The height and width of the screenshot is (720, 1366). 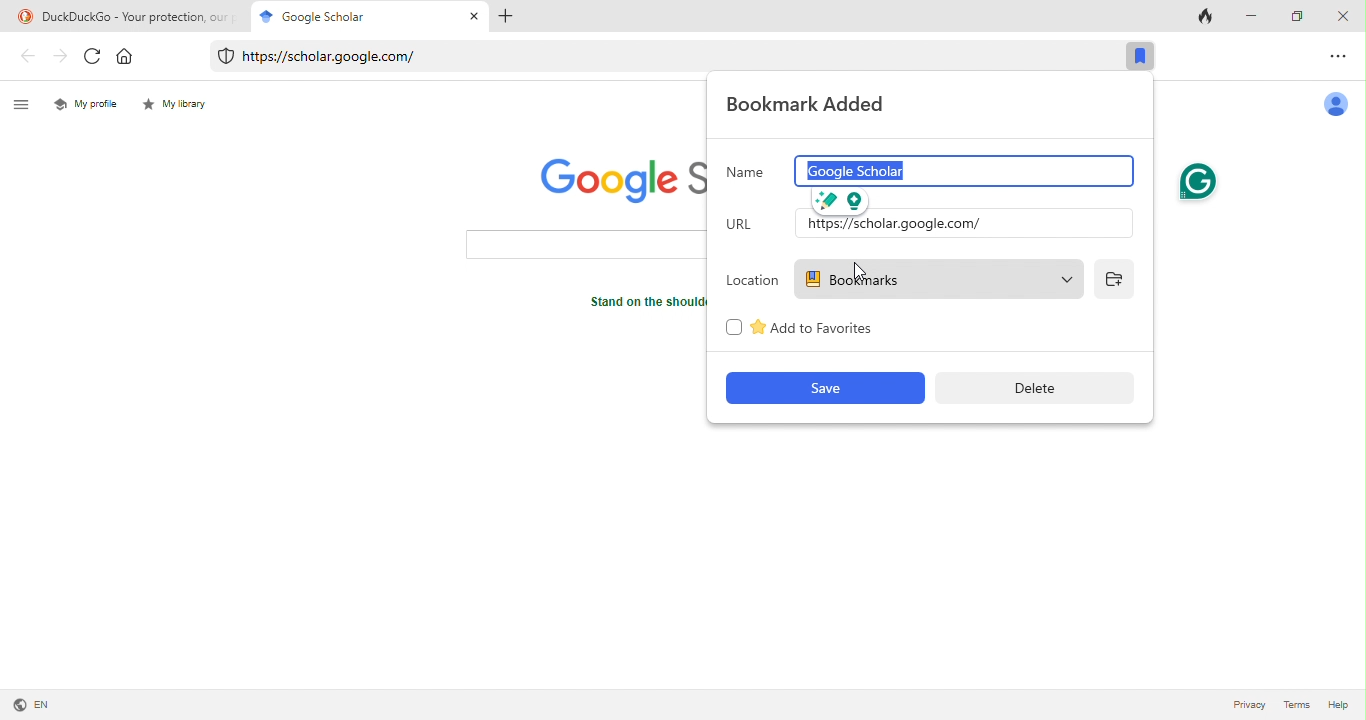 I want to click on location, so click(x=751, y=281).